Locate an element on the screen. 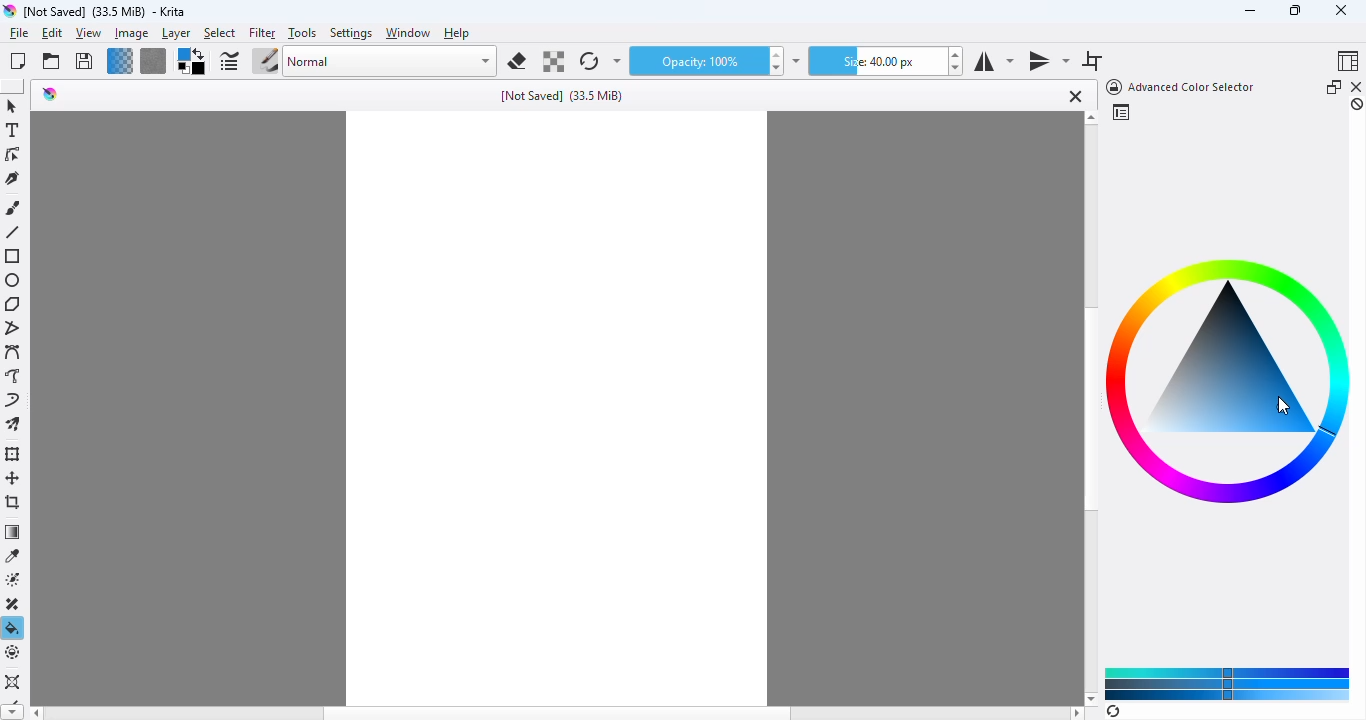 This screenshot has width=1366, height=720. scroll up is located at coordinates (1091, 118).